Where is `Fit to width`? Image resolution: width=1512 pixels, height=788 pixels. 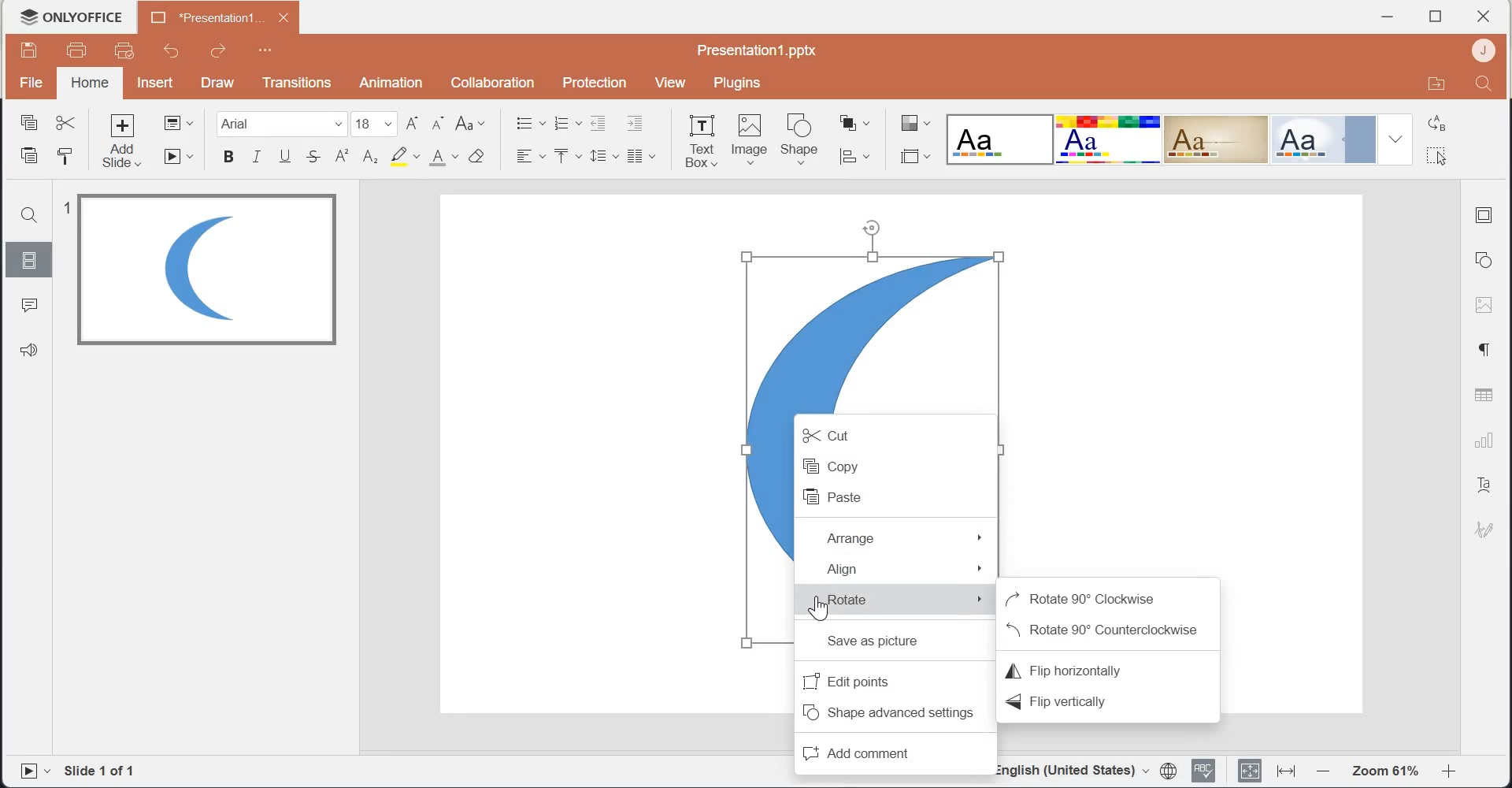 Fit to width is located at coordinates (1285, 772).